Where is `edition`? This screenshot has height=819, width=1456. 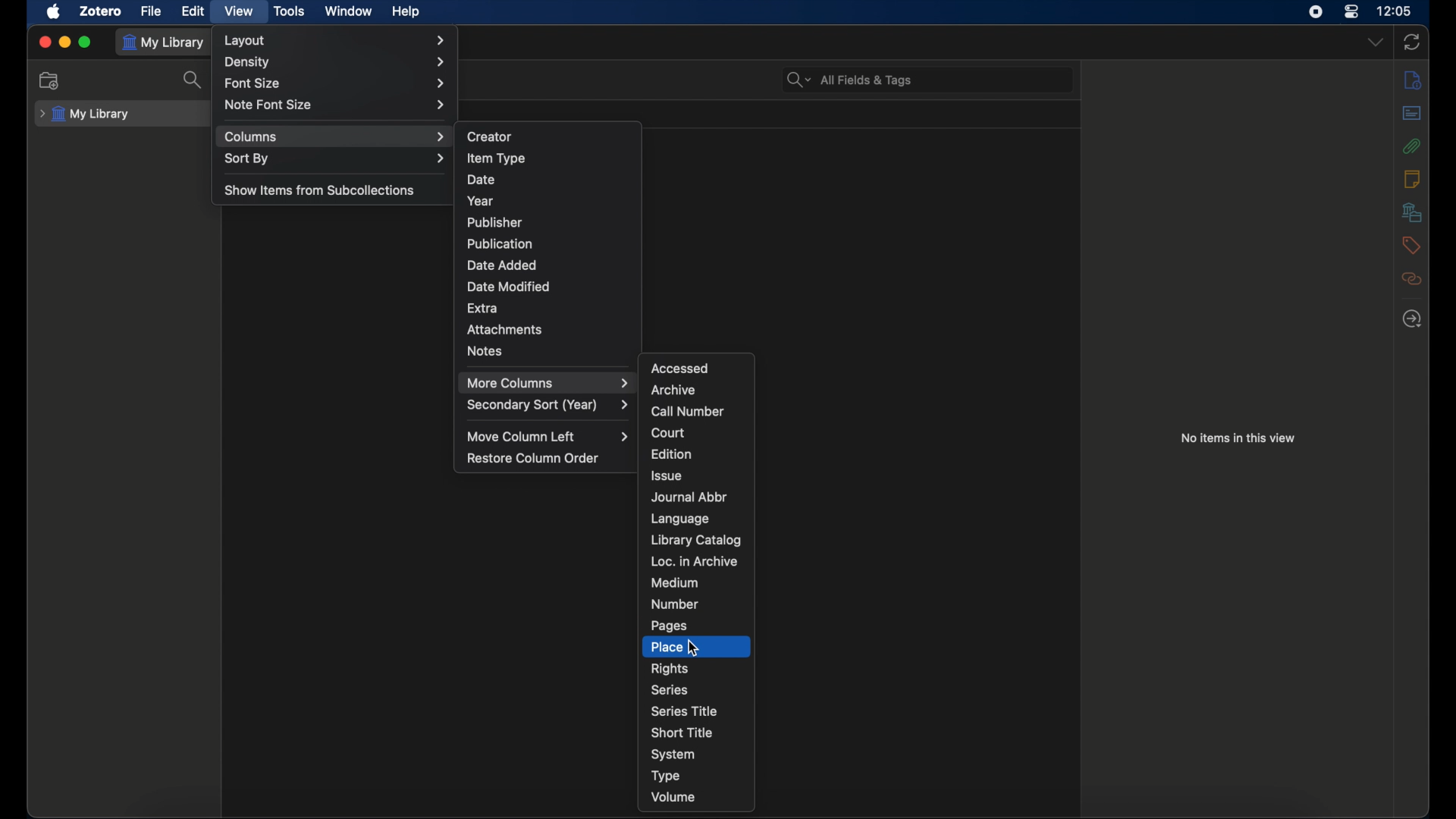
edition is located at coordinates (670, 453).